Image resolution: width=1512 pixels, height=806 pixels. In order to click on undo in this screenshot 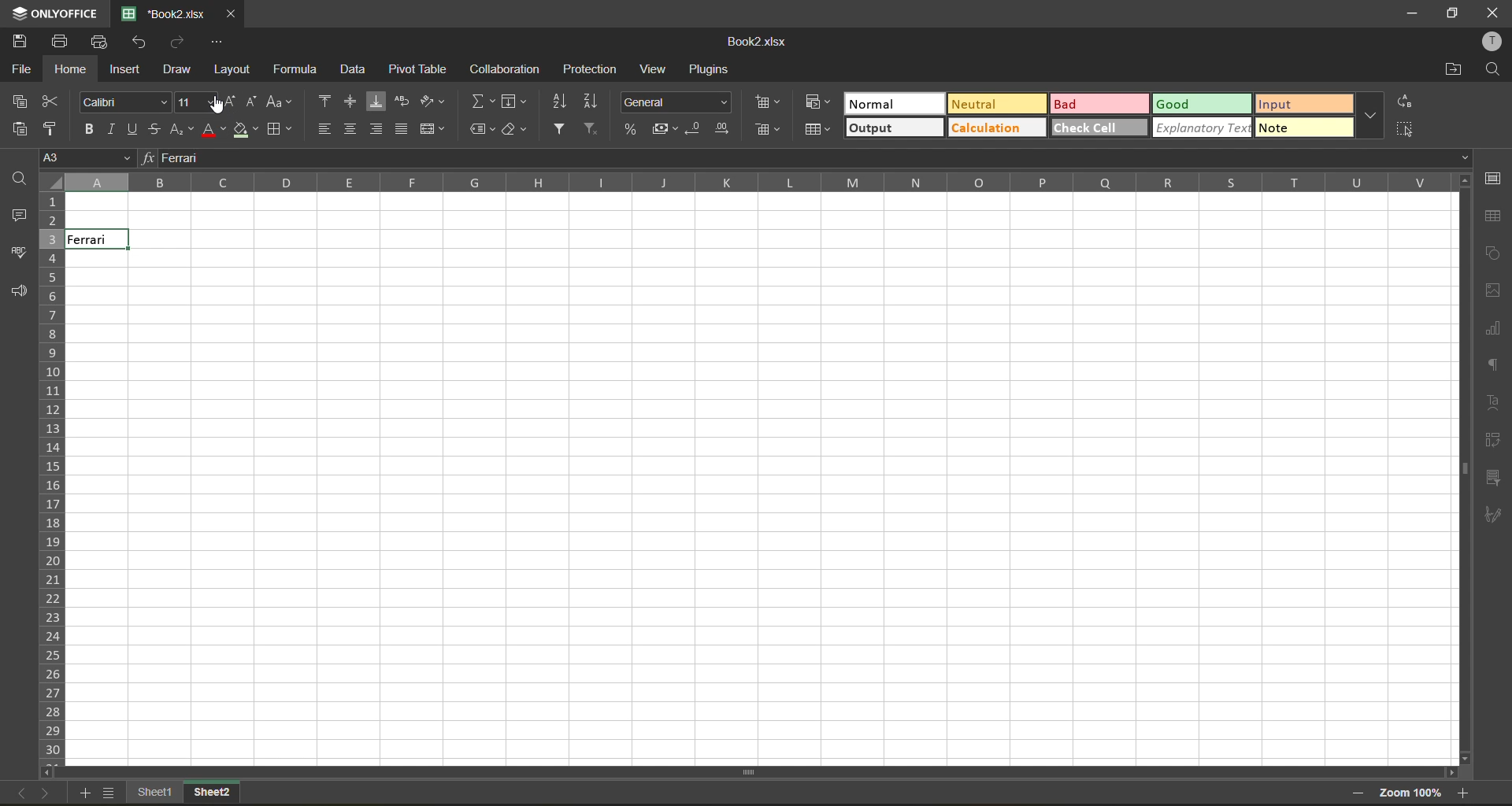, I will do `click(141, 44)`.